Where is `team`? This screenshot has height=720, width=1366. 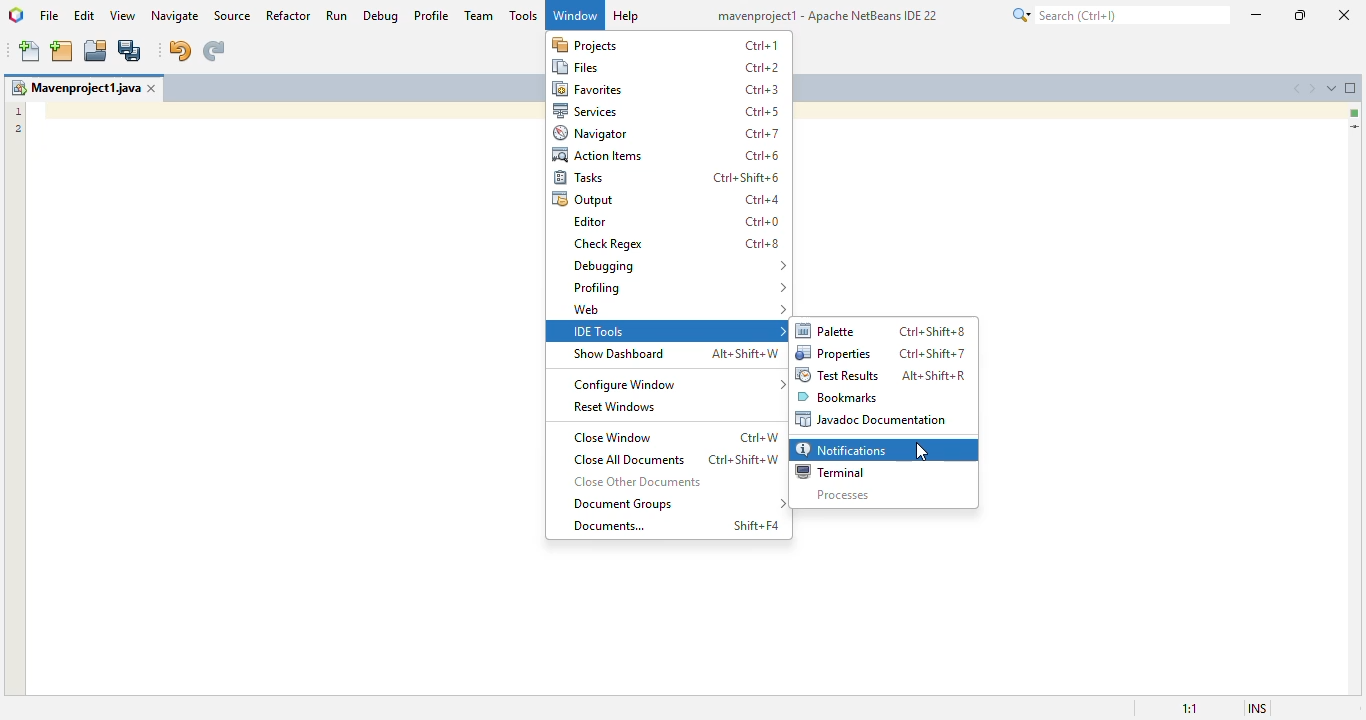 team is located at coordinates (479, 15).